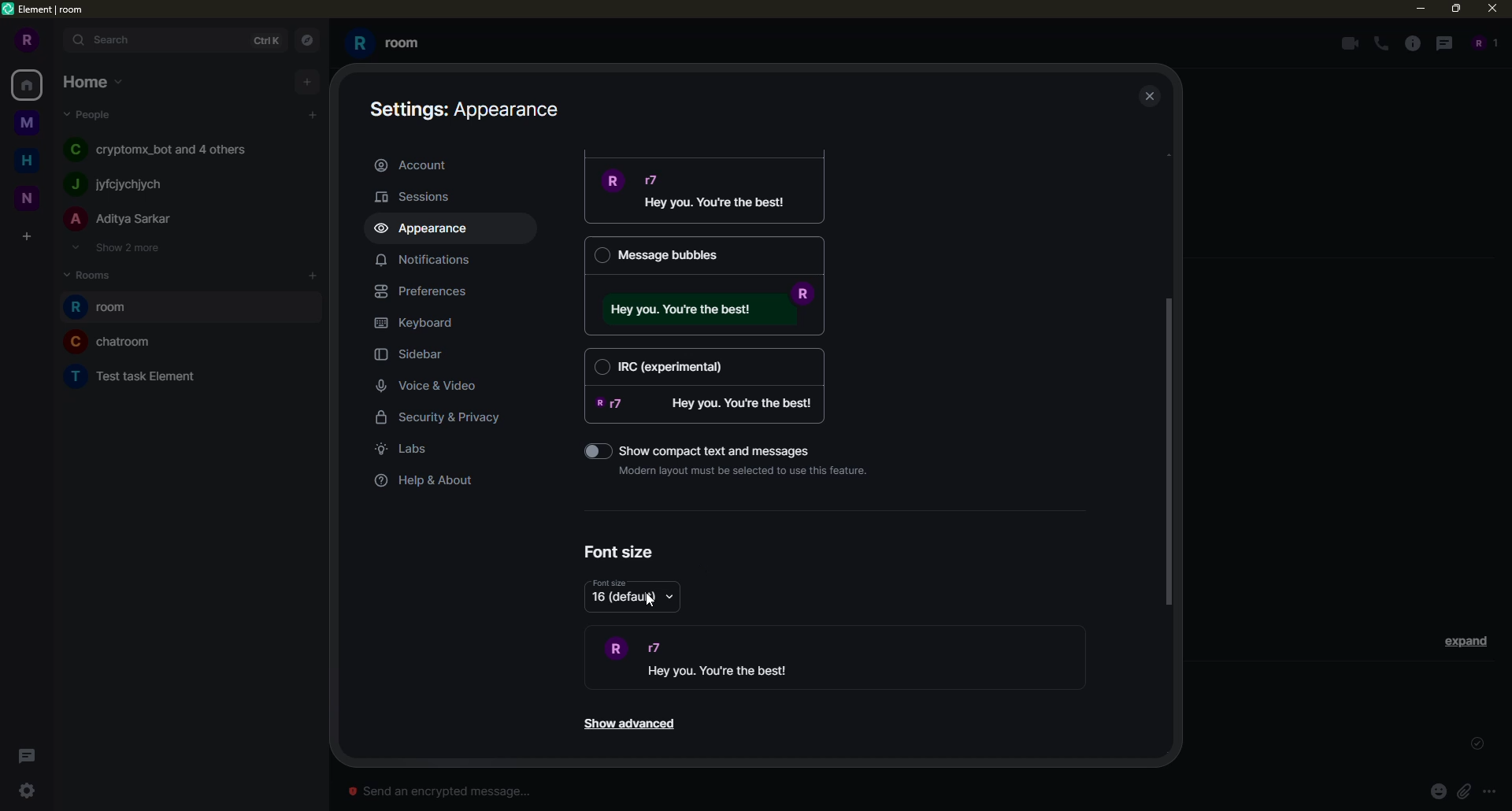 The width and height of the screenshot is (1512, 811). Describe the element at coordinates (94, 273) in the screenshot. I see `rooms` at that location.